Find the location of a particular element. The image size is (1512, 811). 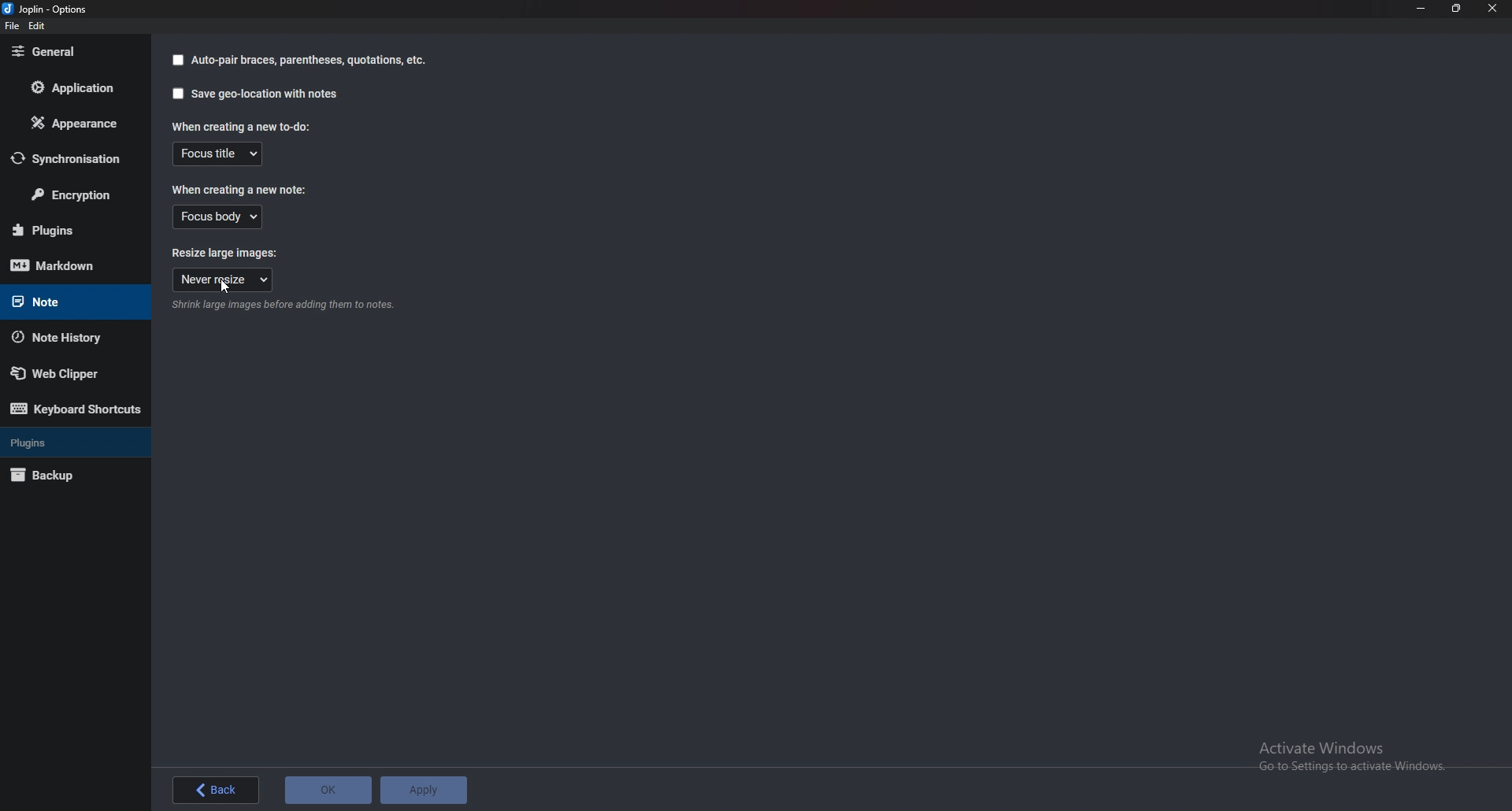

When creating a new note is located at coordinates (240, 188).